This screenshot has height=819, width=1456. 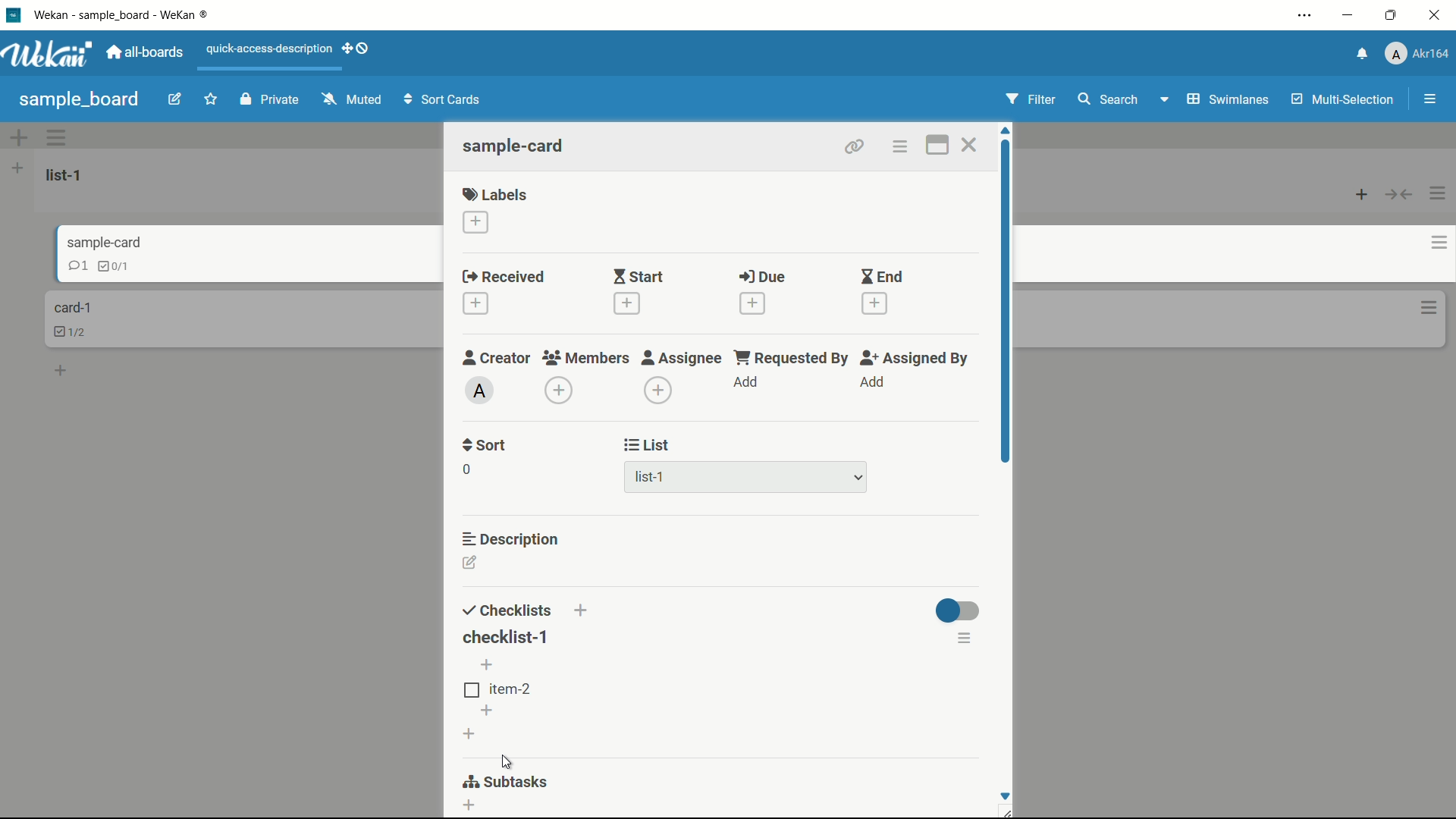 What do you see at coordinates (1391, 14) in the screenshot?
I see `maximize` at bounding box center [1391, 14].